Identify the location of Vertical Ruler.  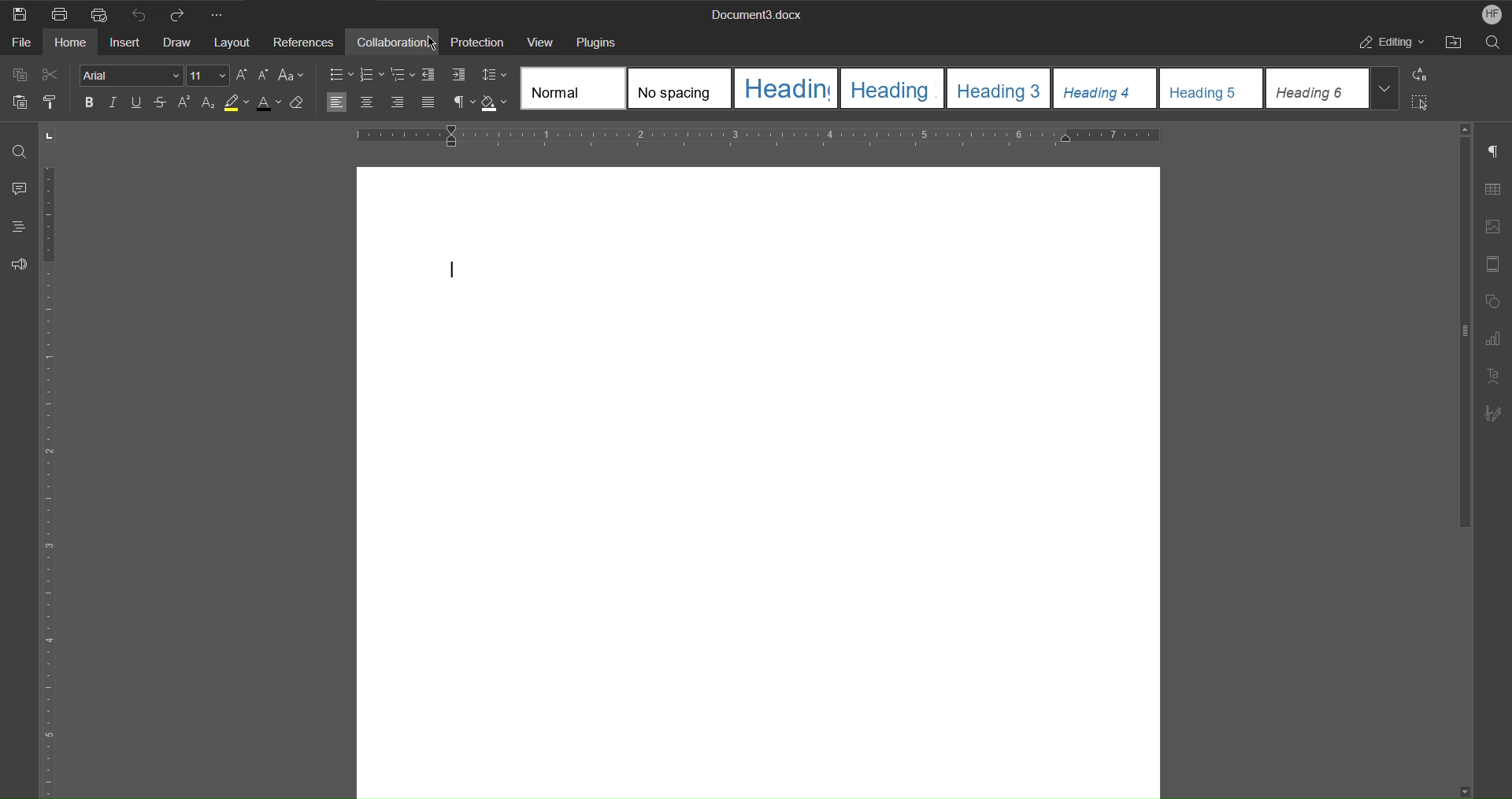
(53, 479).